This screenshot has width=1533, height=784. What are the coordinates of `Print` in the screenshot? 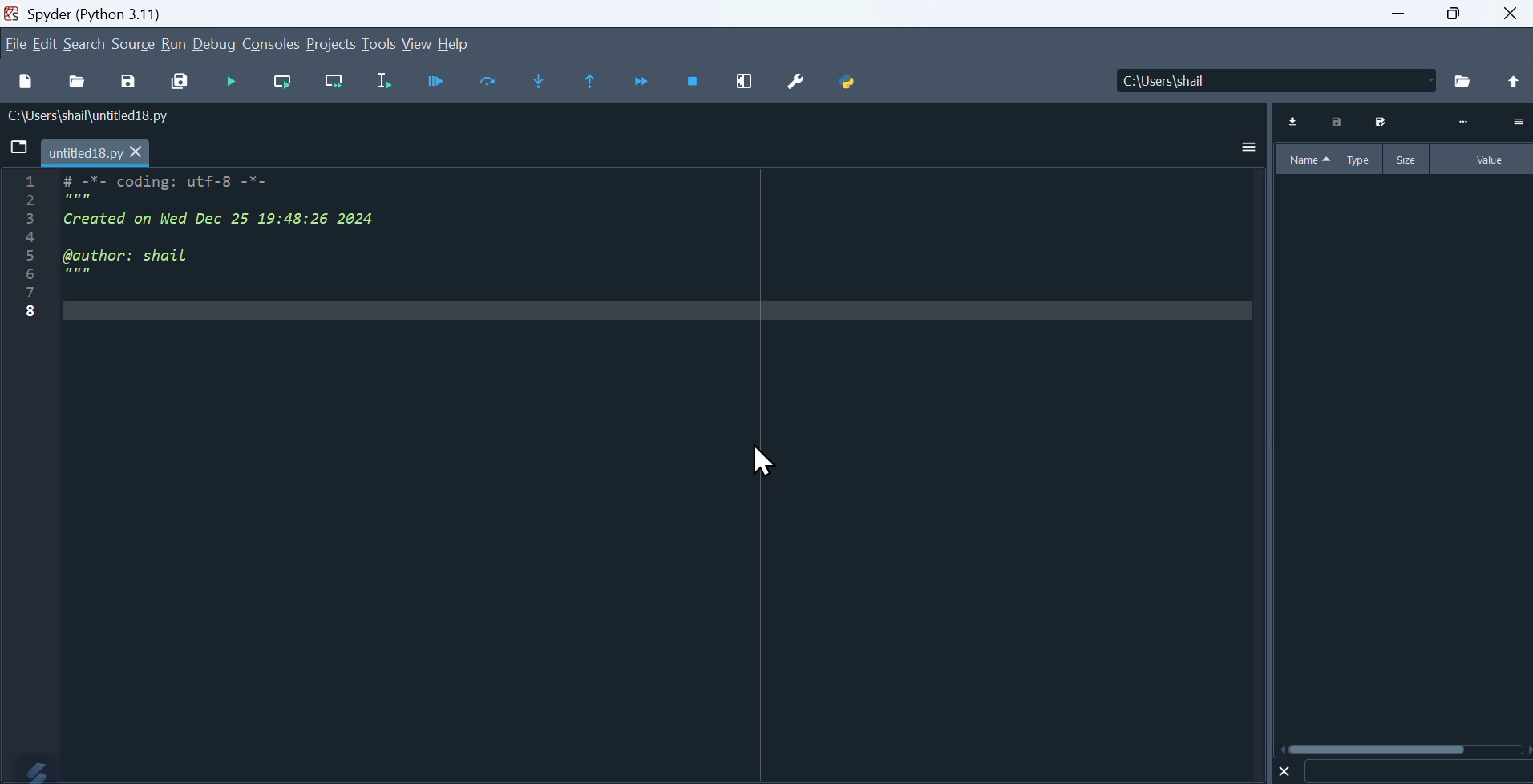 It's located at (1338, 122).